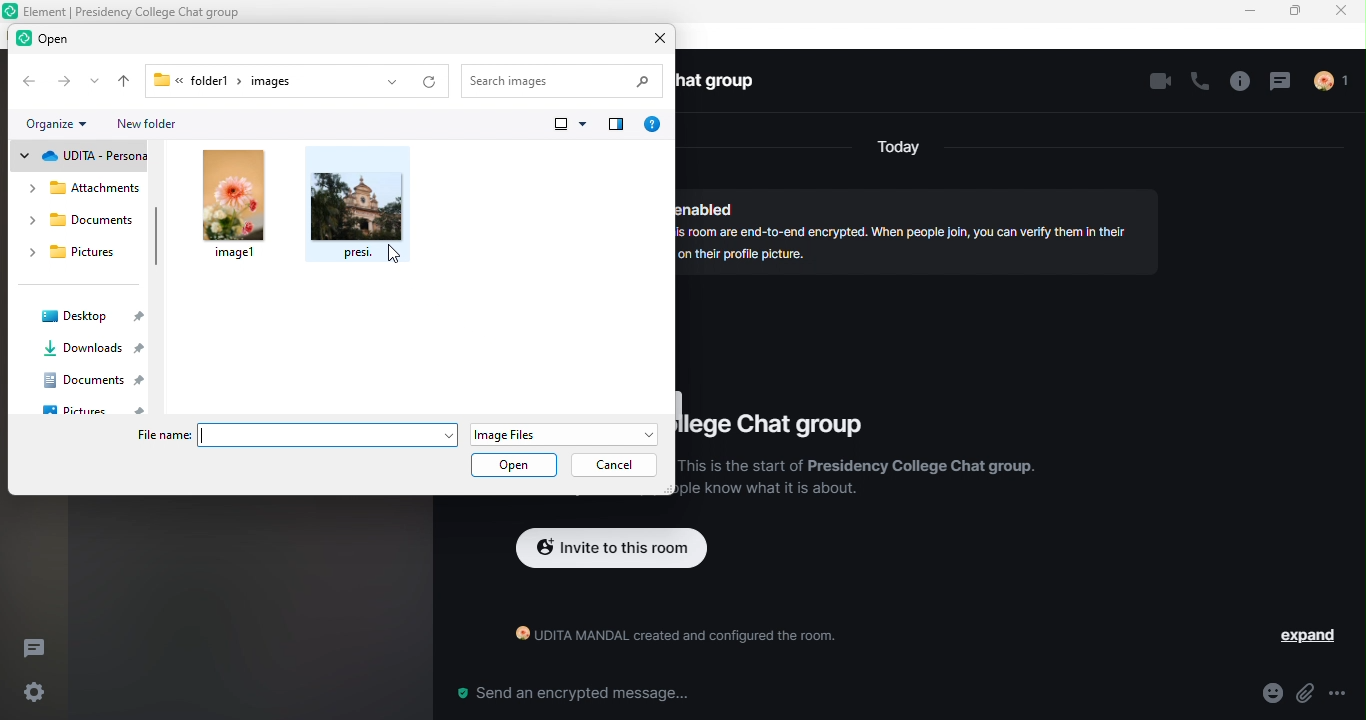 This screenshot has width=1366, height=720. What do you see at coordinates (235, 206) in the screenshot?
I see `image1` at bounding box center [235, 206].